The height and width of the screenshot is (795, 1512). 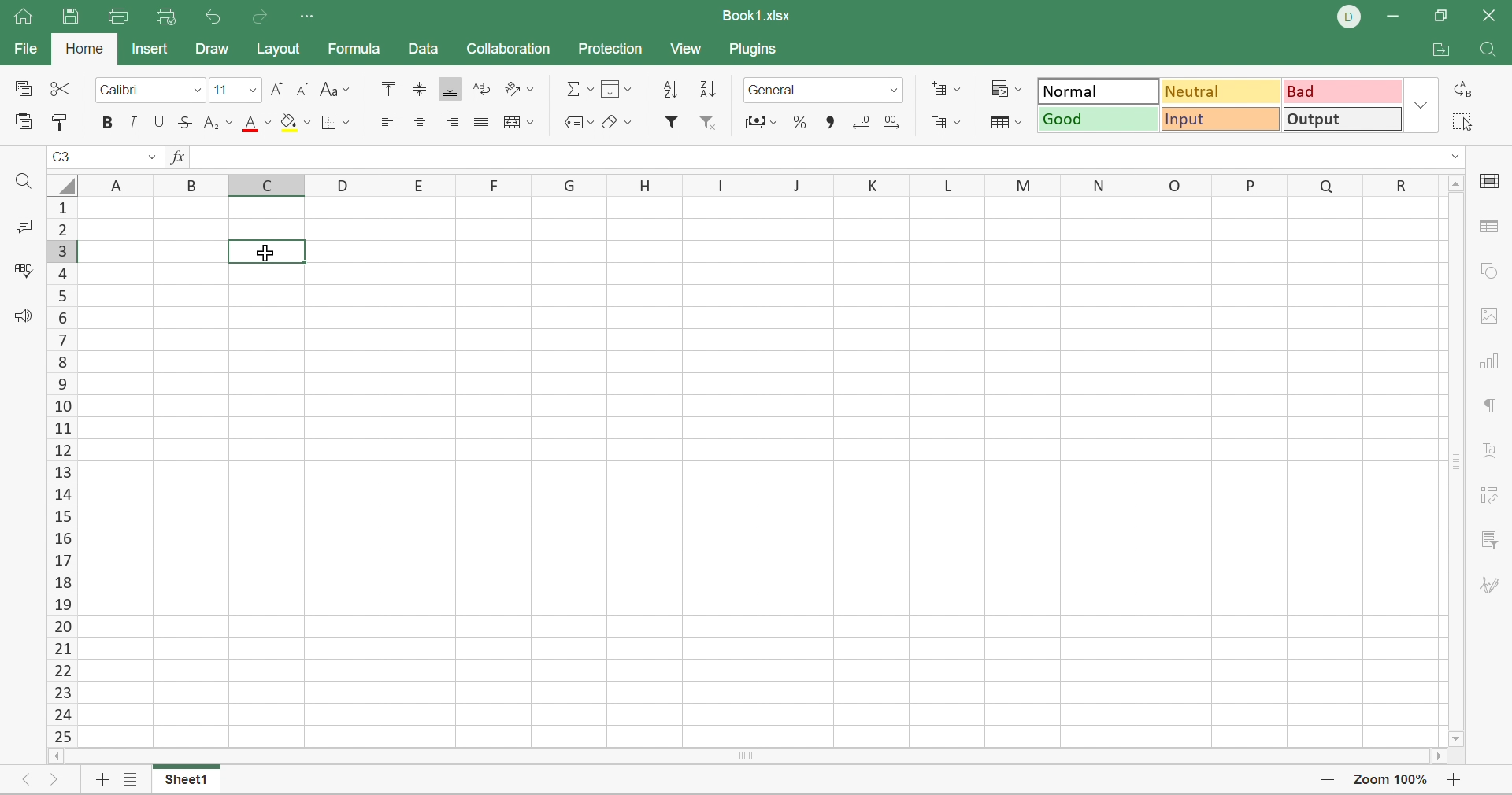 I want to click on Find, so click(x=1490, y=49).